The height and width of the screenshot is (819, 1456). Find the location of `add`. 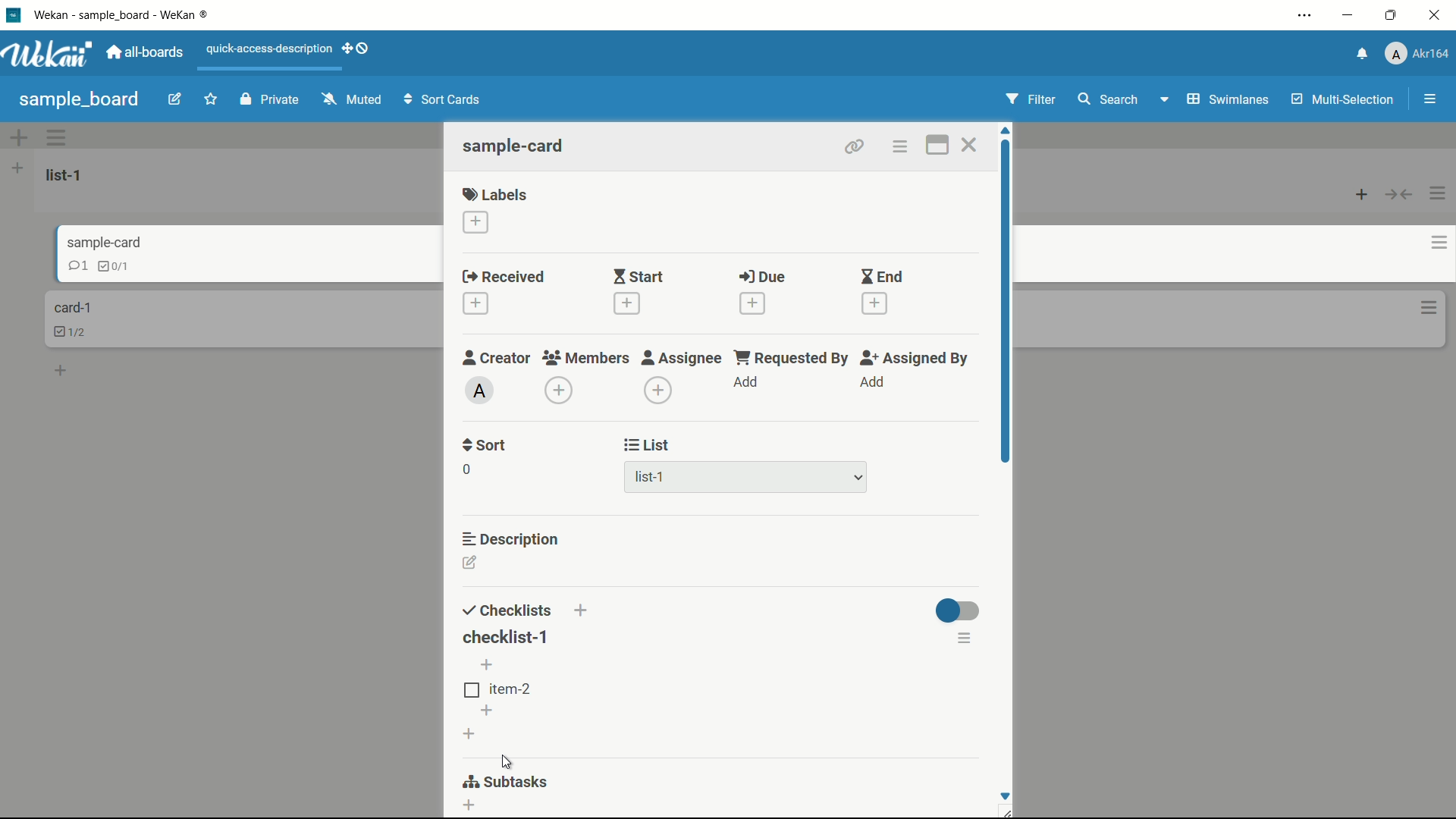

add is located at coordinates (484, 709).